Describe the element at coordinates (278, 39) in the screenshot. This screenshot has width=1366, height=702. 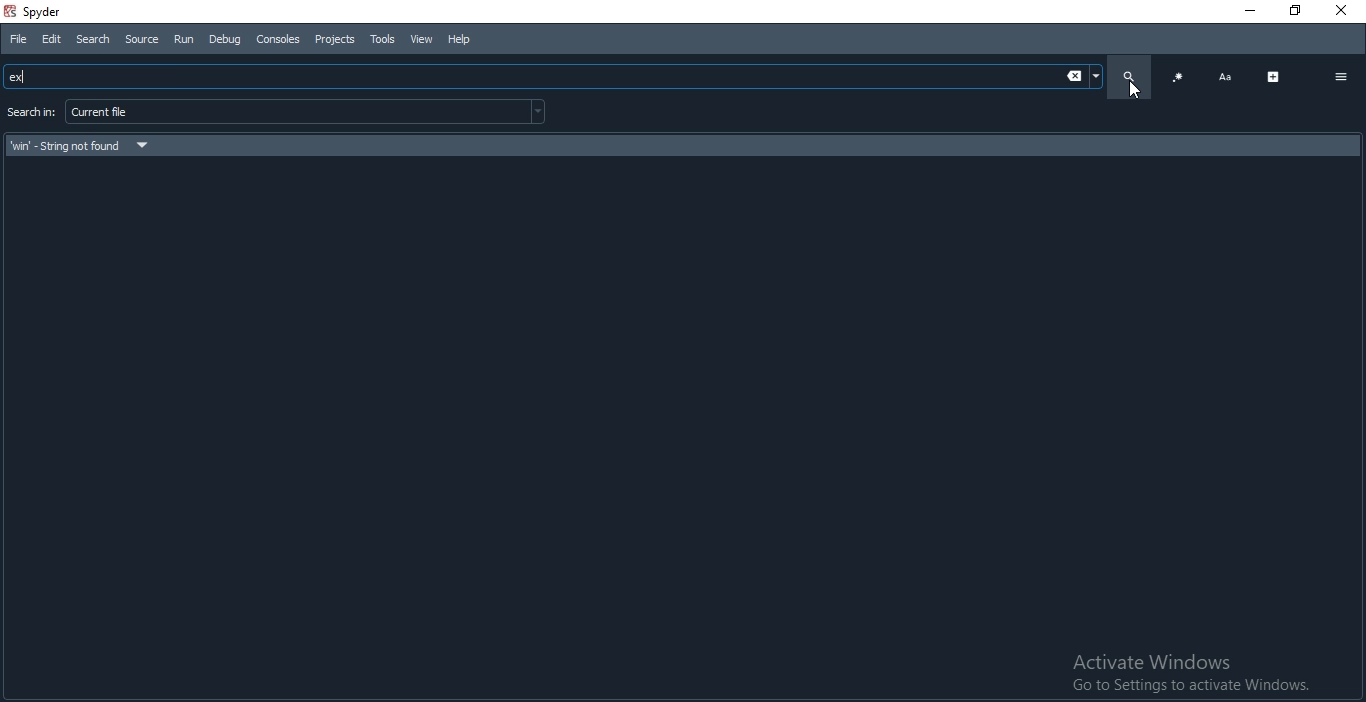
I see `Consoles` at that location.